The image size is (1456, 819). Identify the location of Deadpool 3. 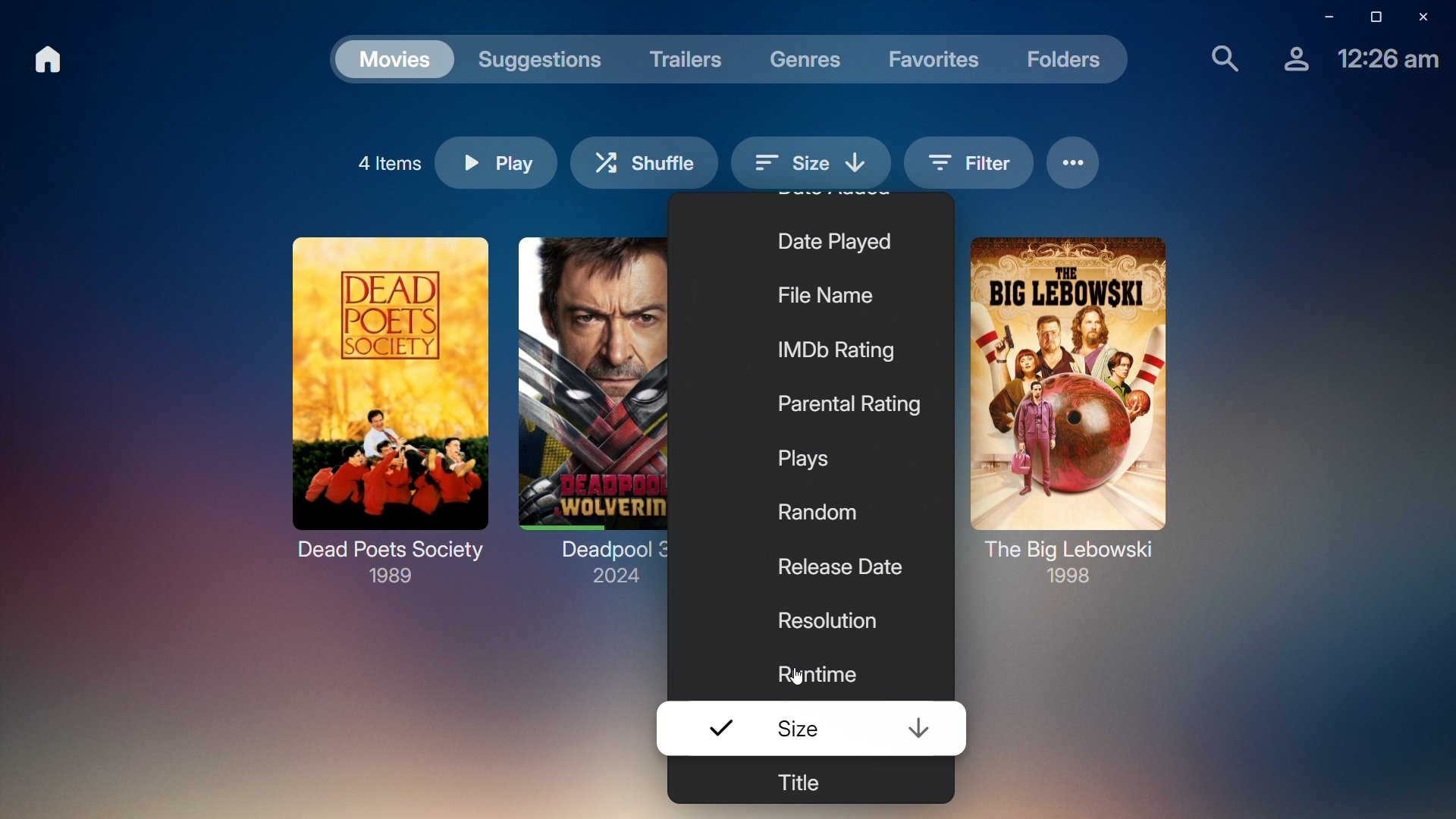
(594, 409).